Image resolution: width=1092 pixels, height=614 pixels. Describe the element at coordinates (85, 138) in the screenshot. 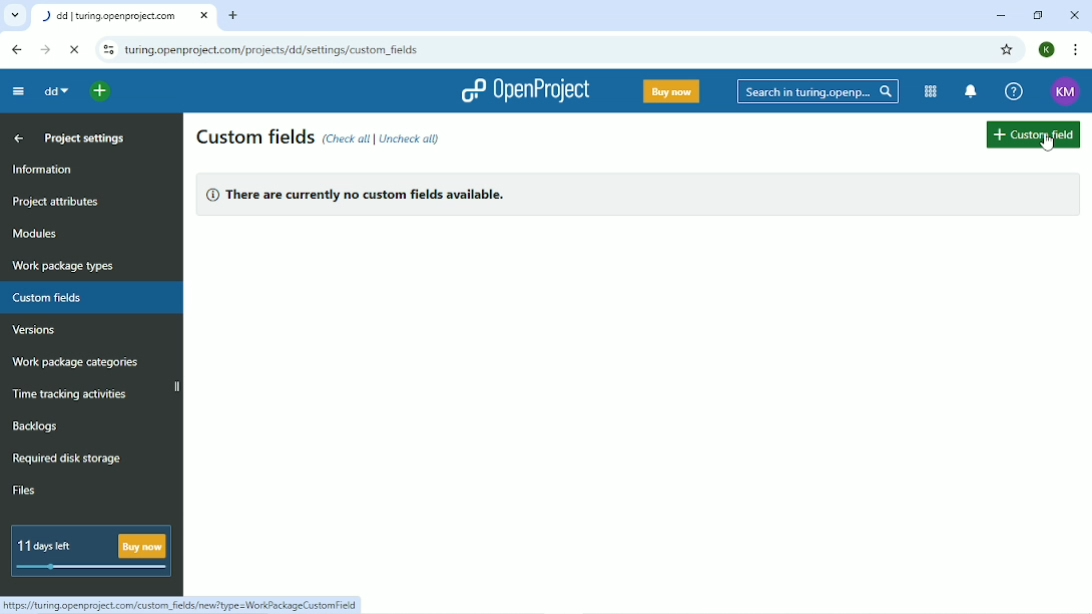

I see `Project settings` at that location.